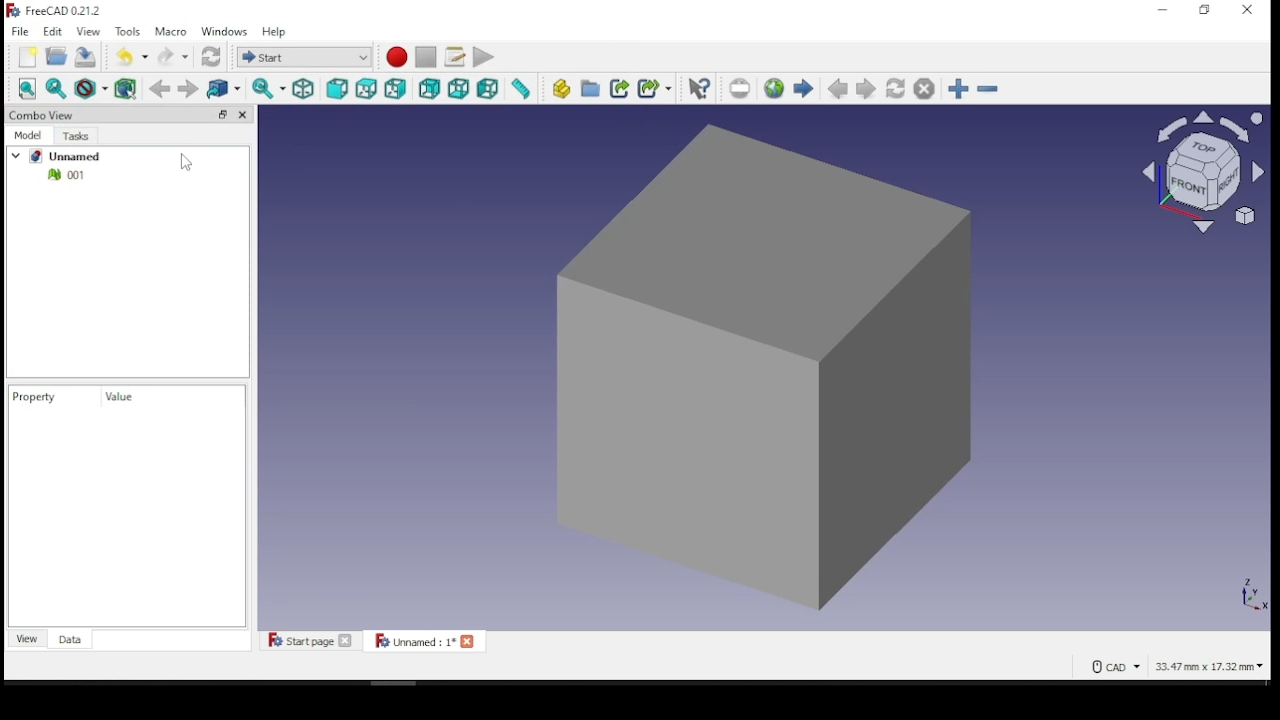  What do you see at coordinates (397, 57) in the screenshot?
I see `macro recording` at bounding box center [397, 57].